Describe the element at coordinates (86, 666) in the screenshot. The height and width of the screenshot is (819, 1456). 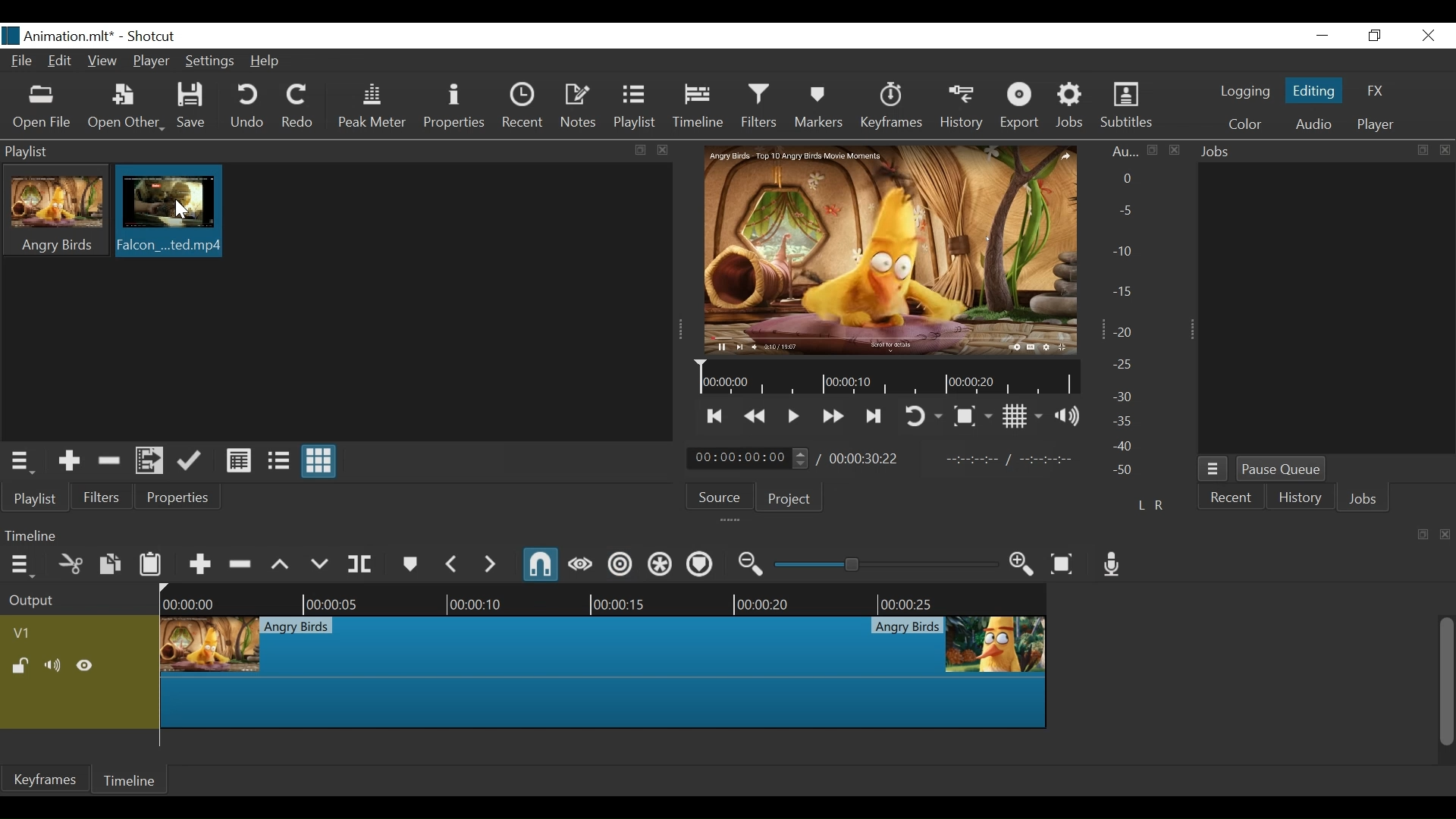
I see `Hide` at that location.